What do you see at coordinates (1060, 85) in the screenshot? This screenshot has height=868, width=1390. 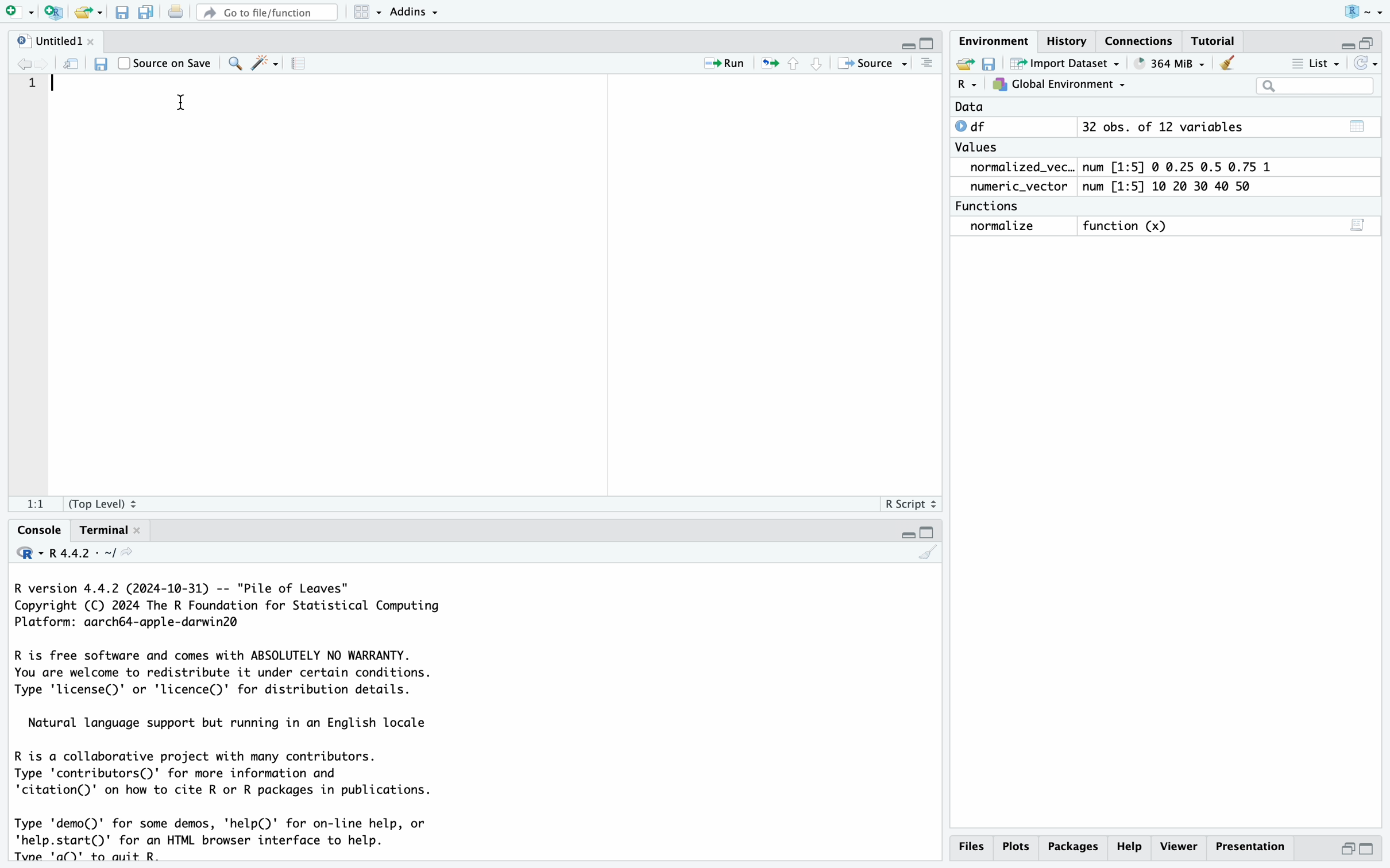 I see `Global Environment` at bounding box center [1060, 85].